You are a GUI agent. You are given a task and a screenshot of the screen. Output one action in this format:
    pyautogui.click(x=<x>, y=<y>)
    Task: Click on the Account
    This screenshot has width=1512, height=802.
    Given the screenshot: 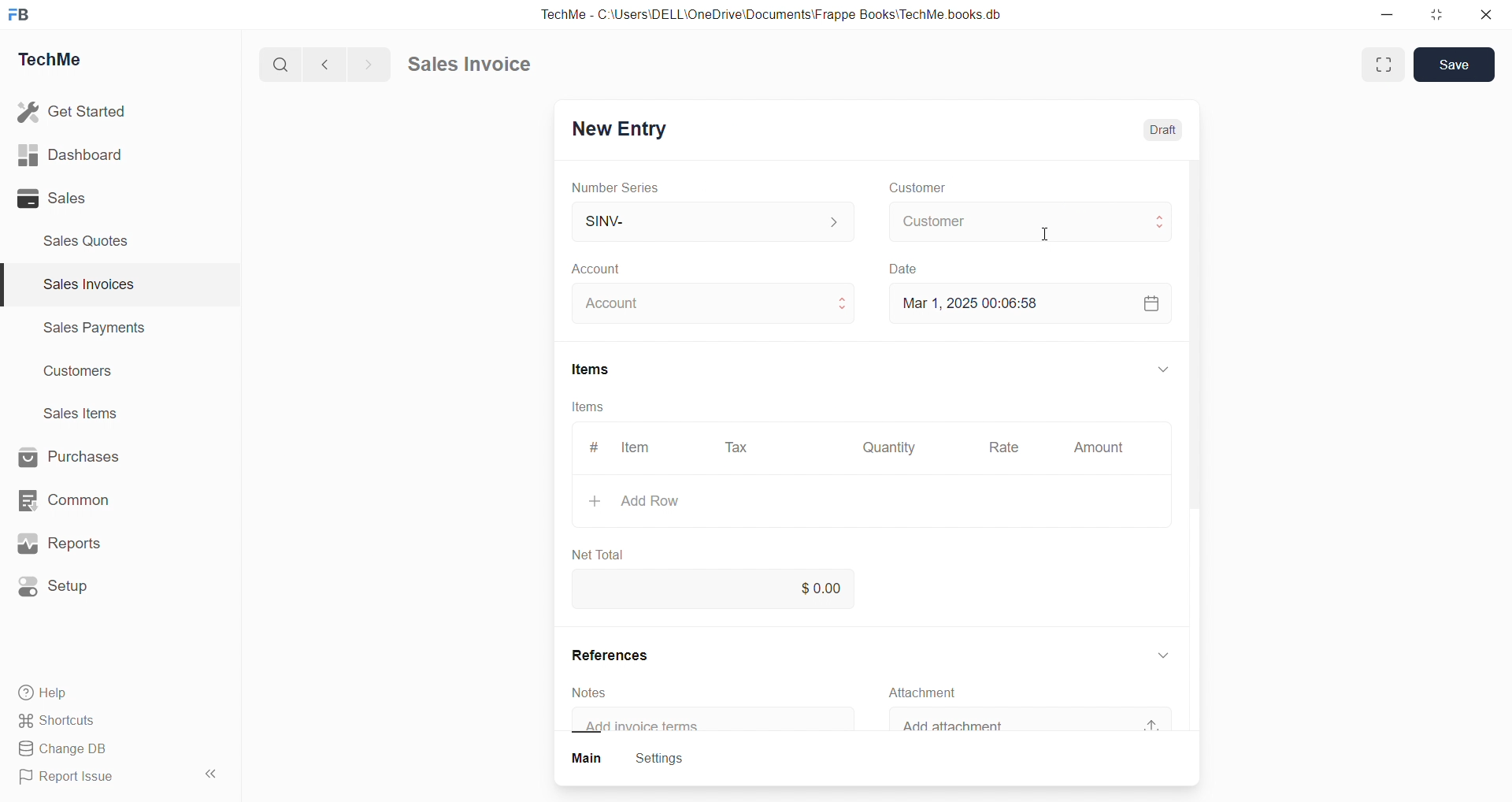 What is the action you would take?
    pyautogui.click(x=621, y=270)
    